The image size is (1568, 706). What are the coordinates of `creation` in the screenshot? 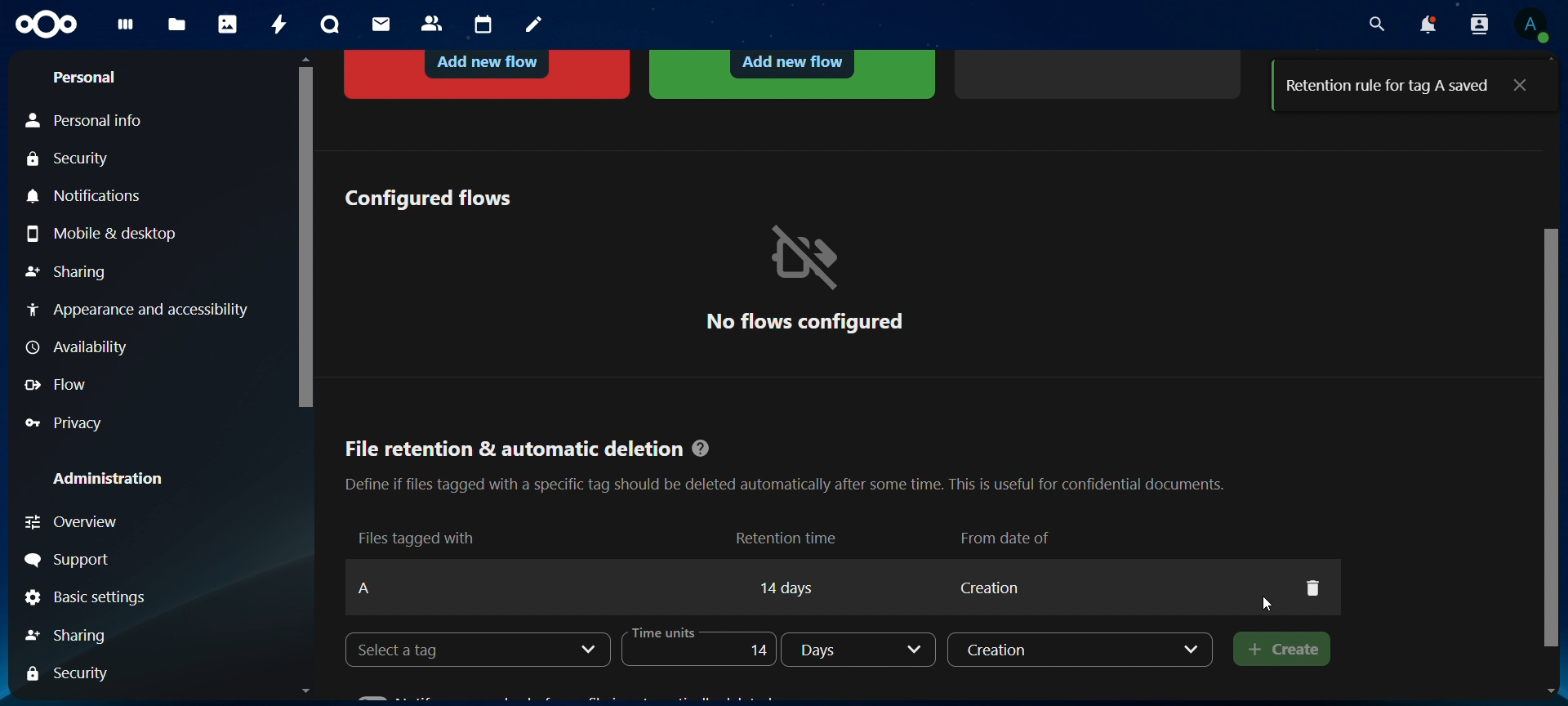 It's located at (1080, 649).